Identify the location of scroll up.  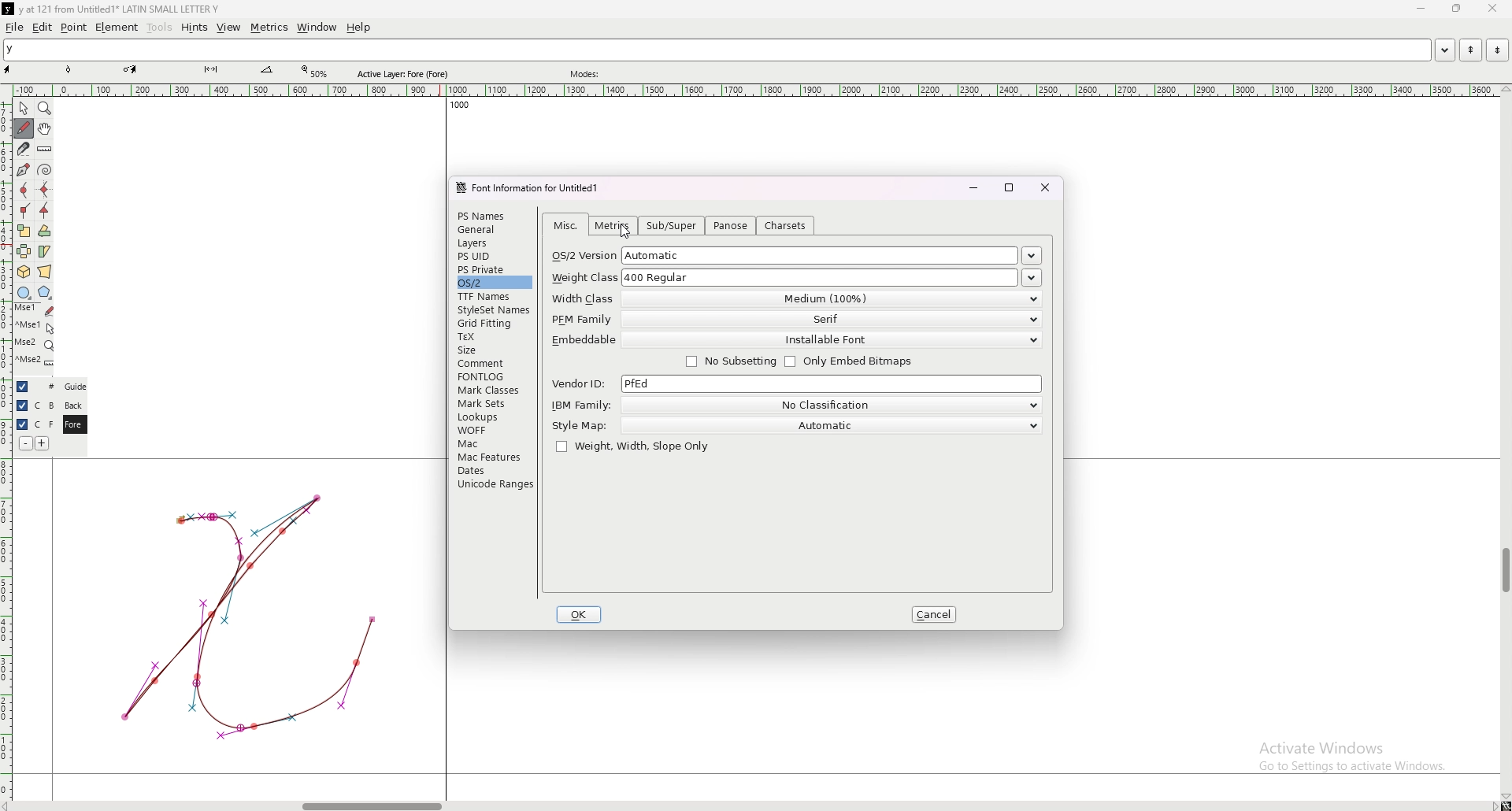
(1503, 90).